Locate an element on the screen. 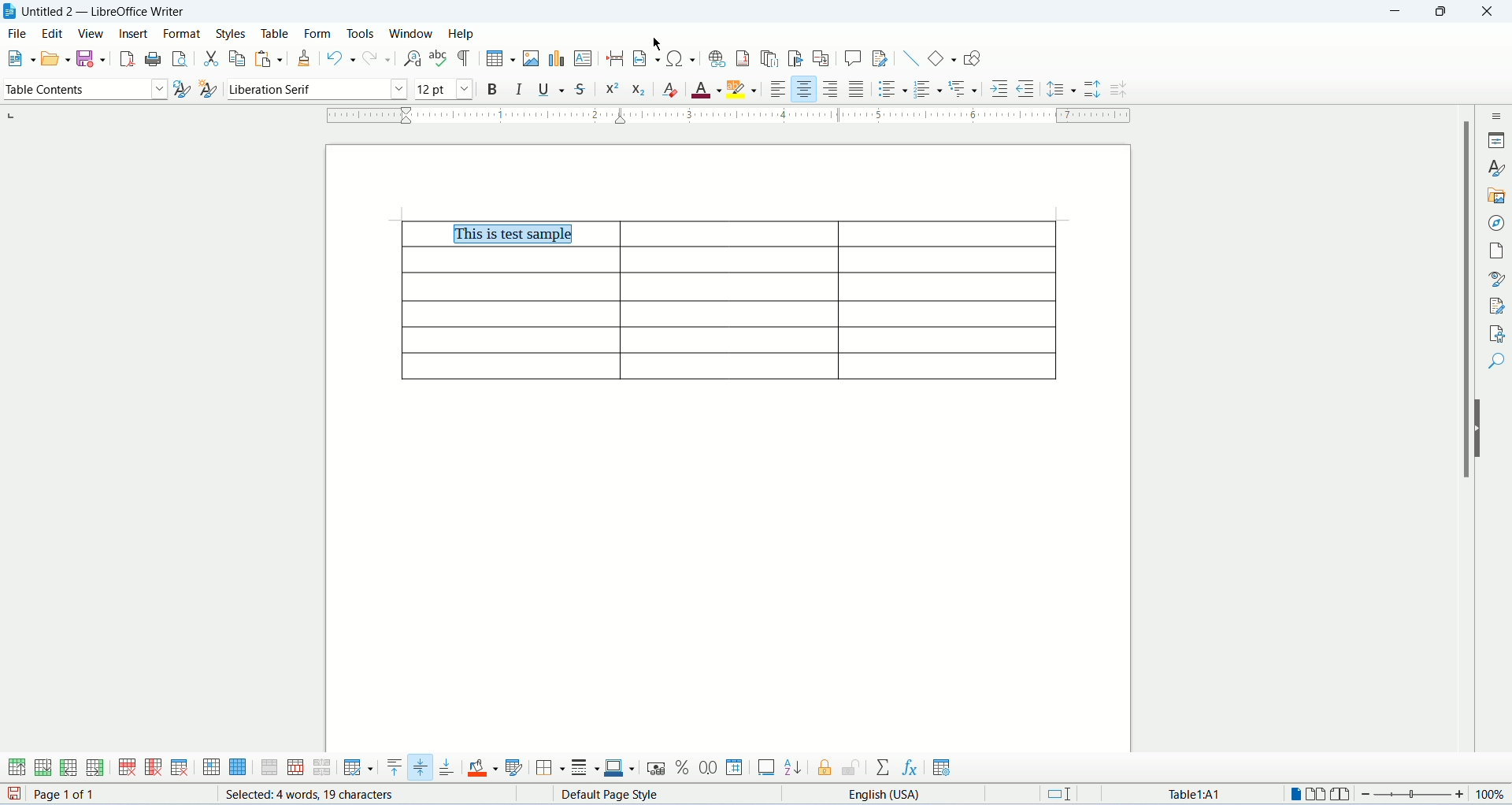  styles is located at coordinates (234, 32).